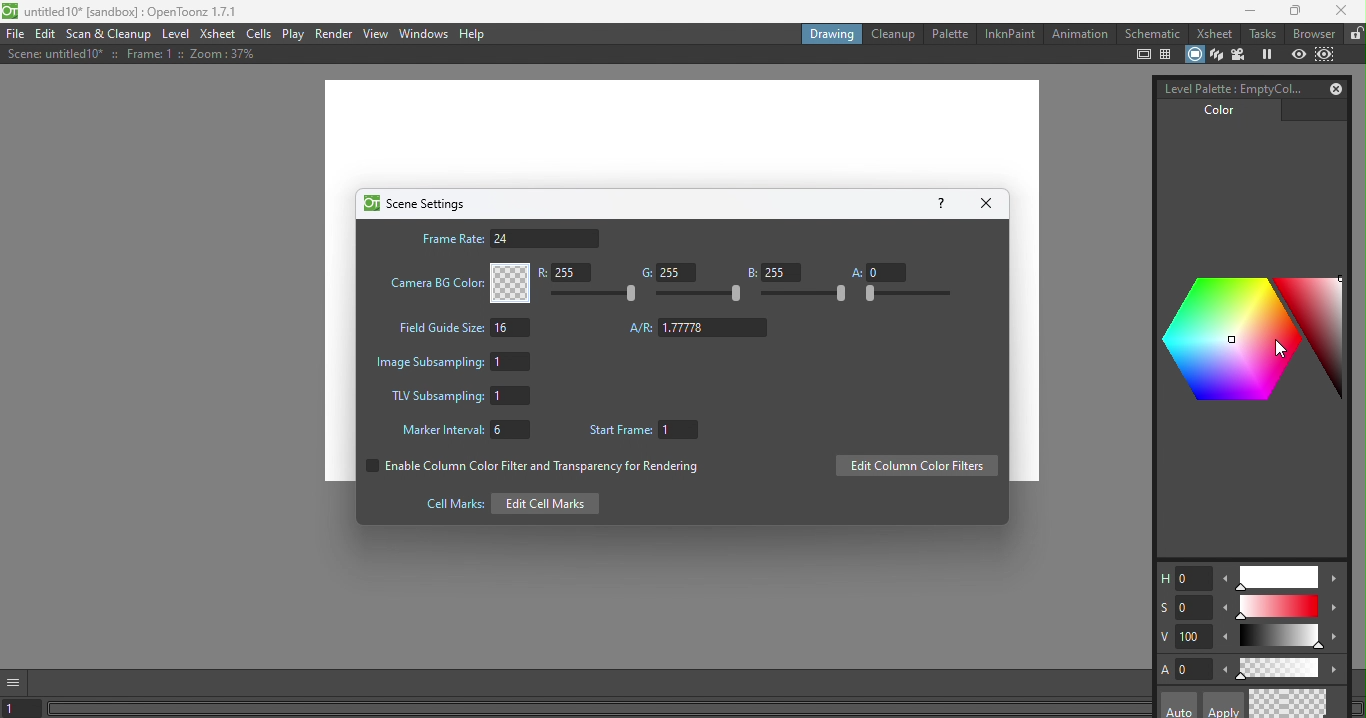 Image resolution: width=1366 pixels, height=718 pixels. Describe the element at coordinates (1213, 115) in the screenshot. I see `Color` at that location.